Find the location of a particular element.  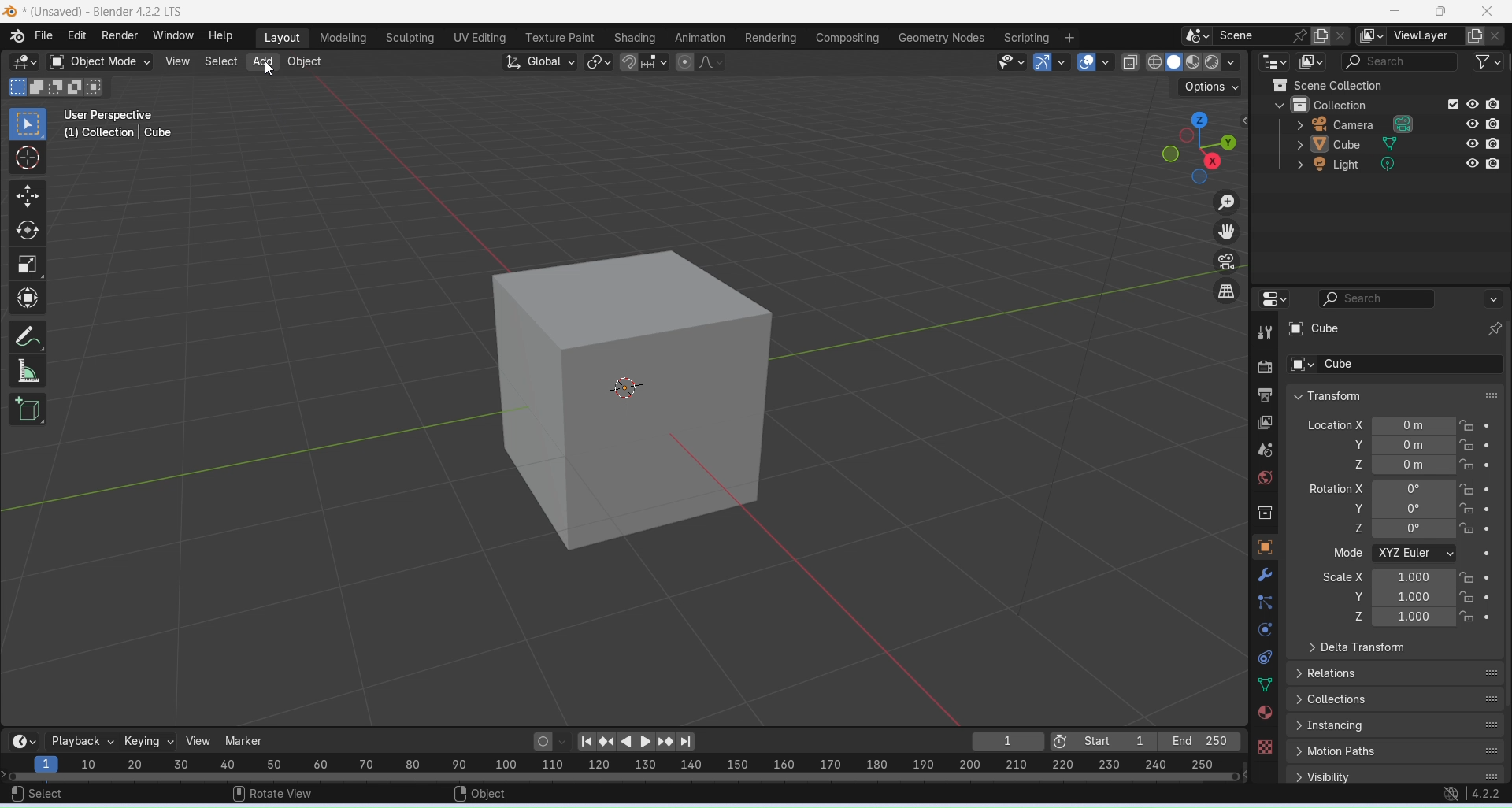

Constraints is located at coordinates (1265, 657).